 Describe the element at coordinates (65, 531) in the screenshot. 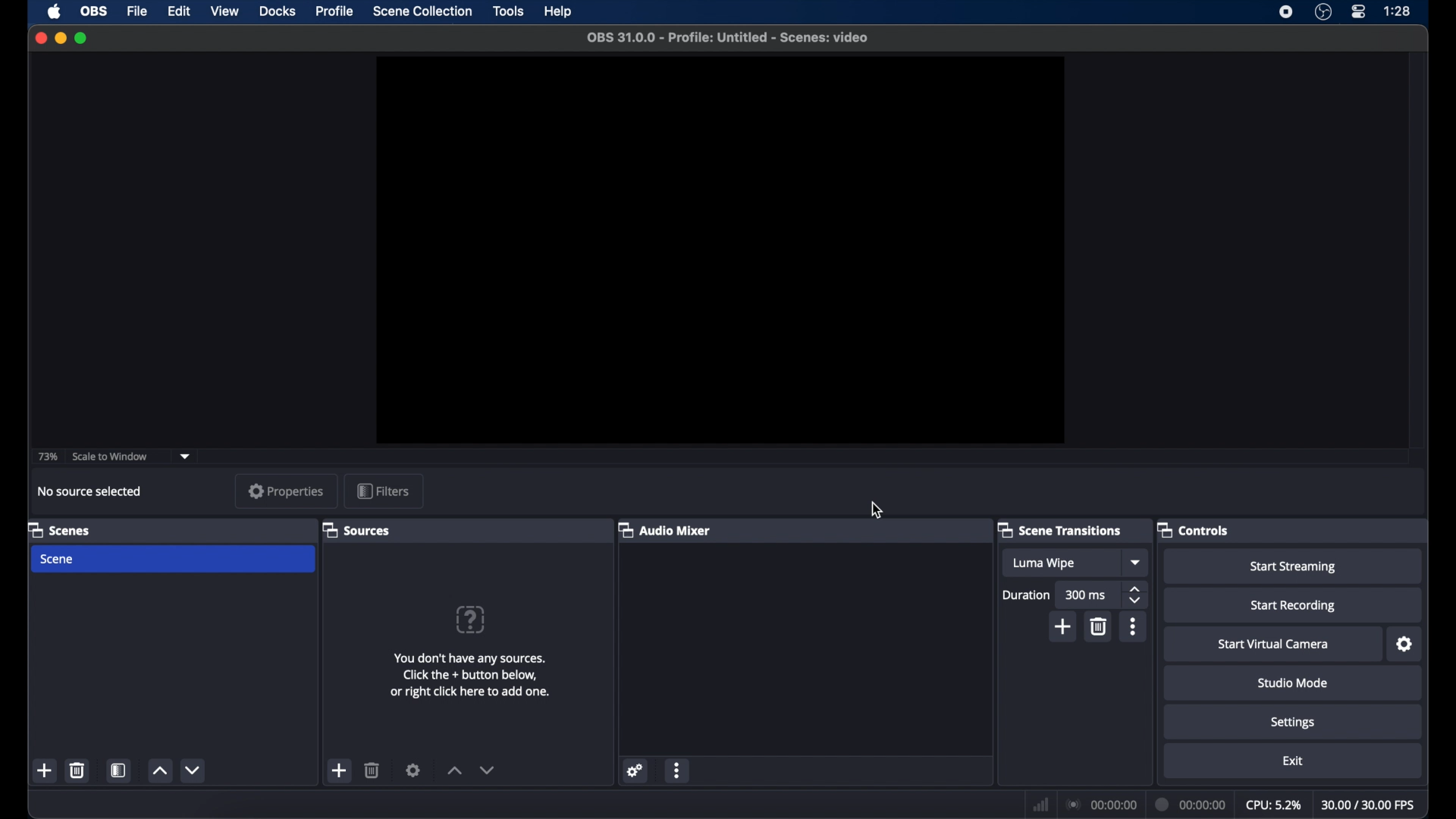

I see `scenes` at that location.